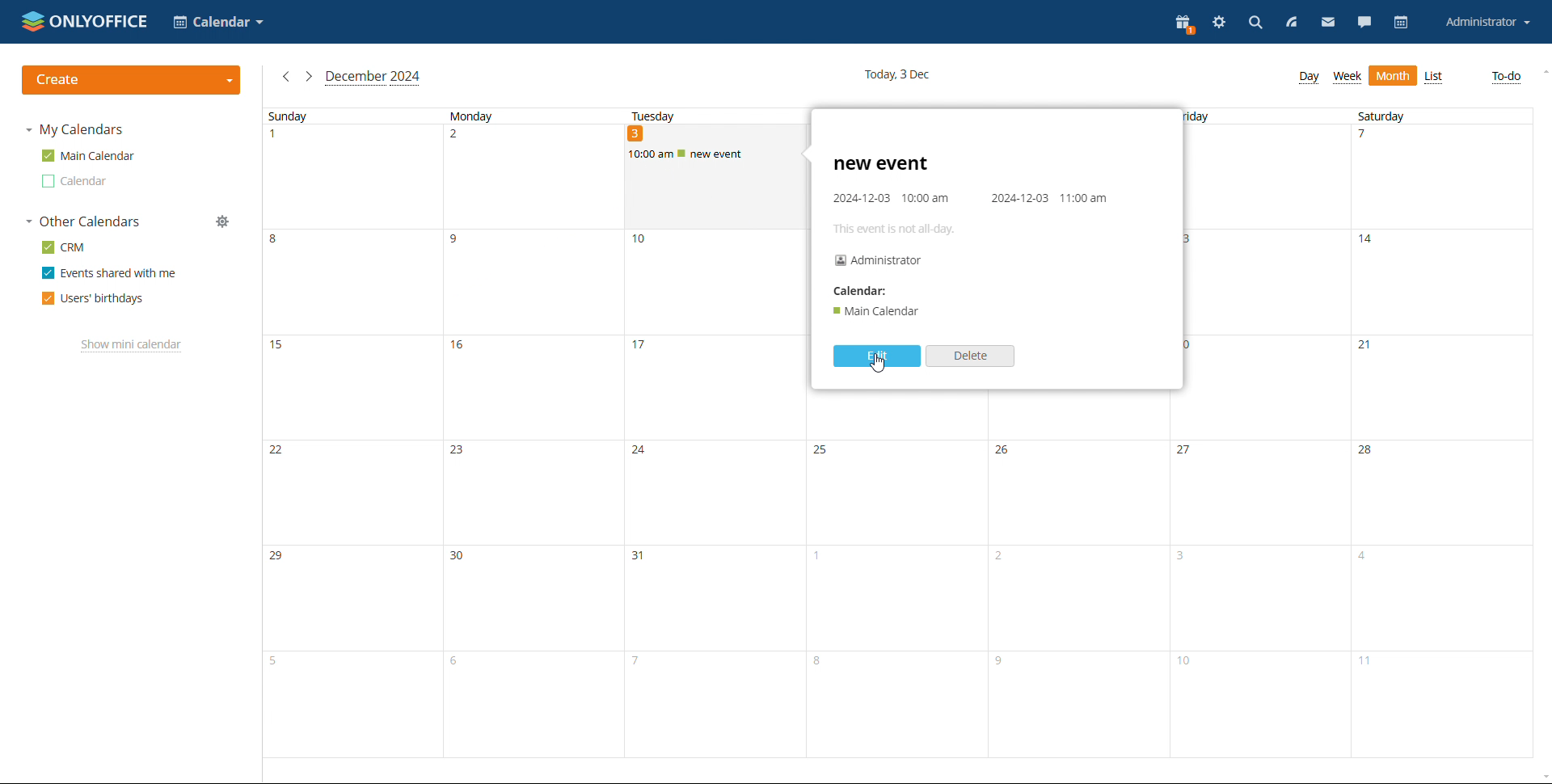  What do you see at coordinates (712, 704) in the screenshot?
I see `7` at bounding box center [712, 704].